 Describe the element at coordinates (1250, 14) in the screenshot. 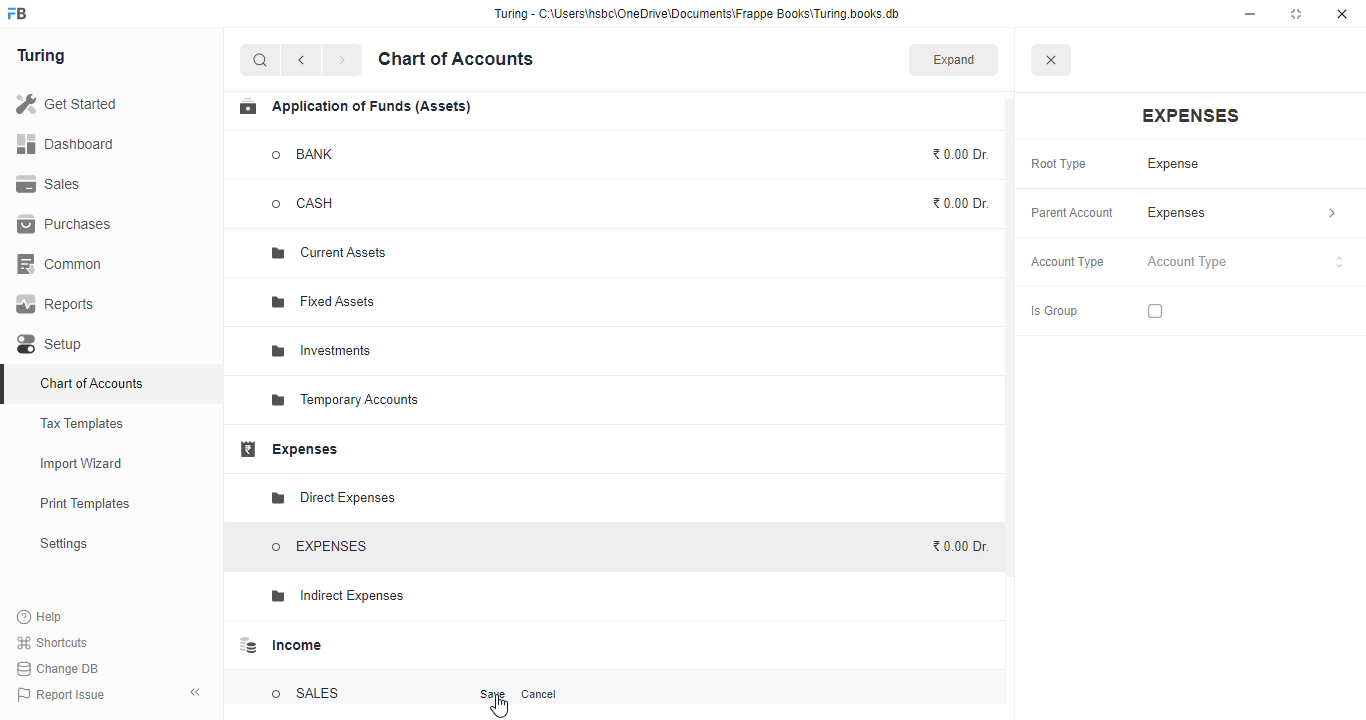

I see `minimize` at that location.